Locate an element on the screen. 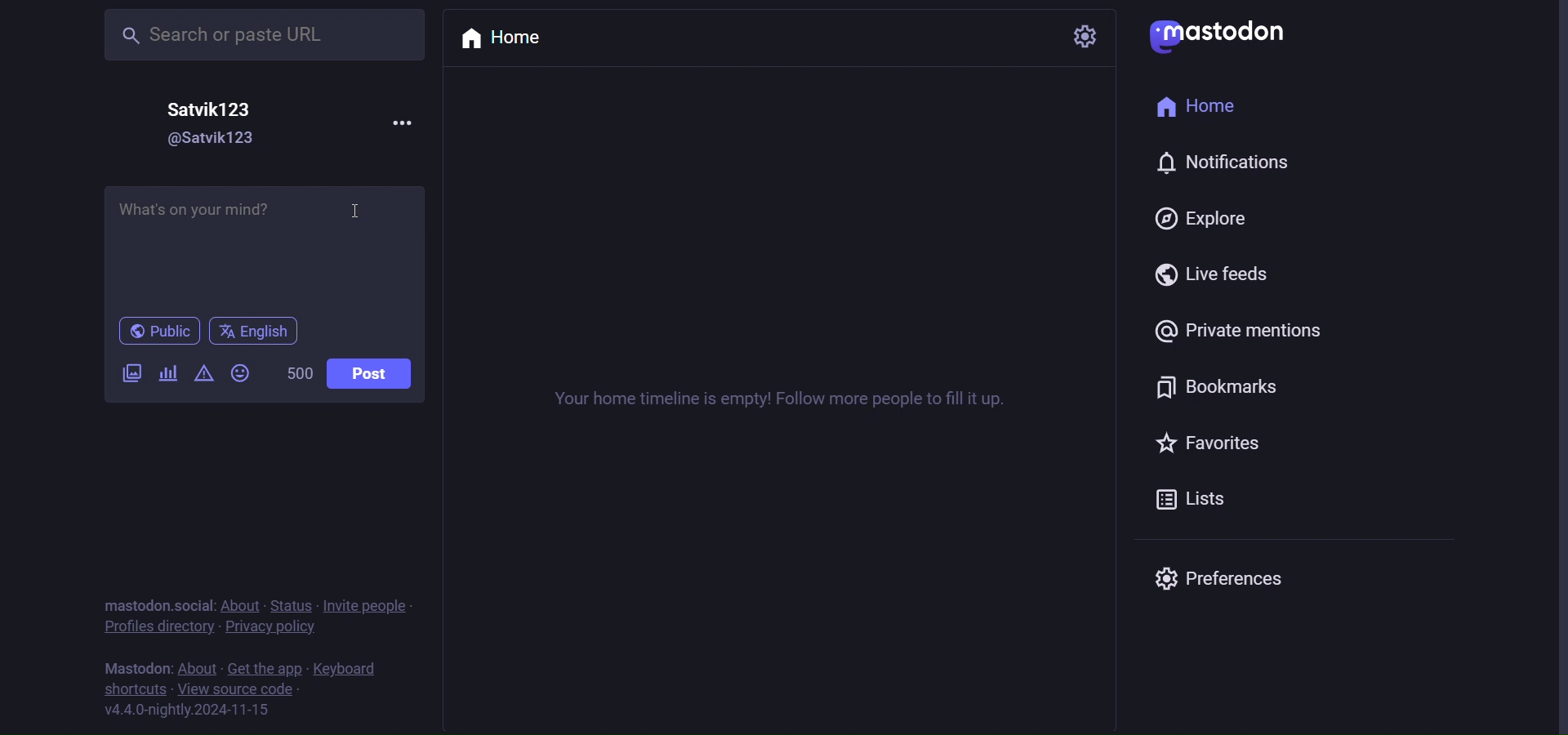  explore is located at coordinates (1202, 218).